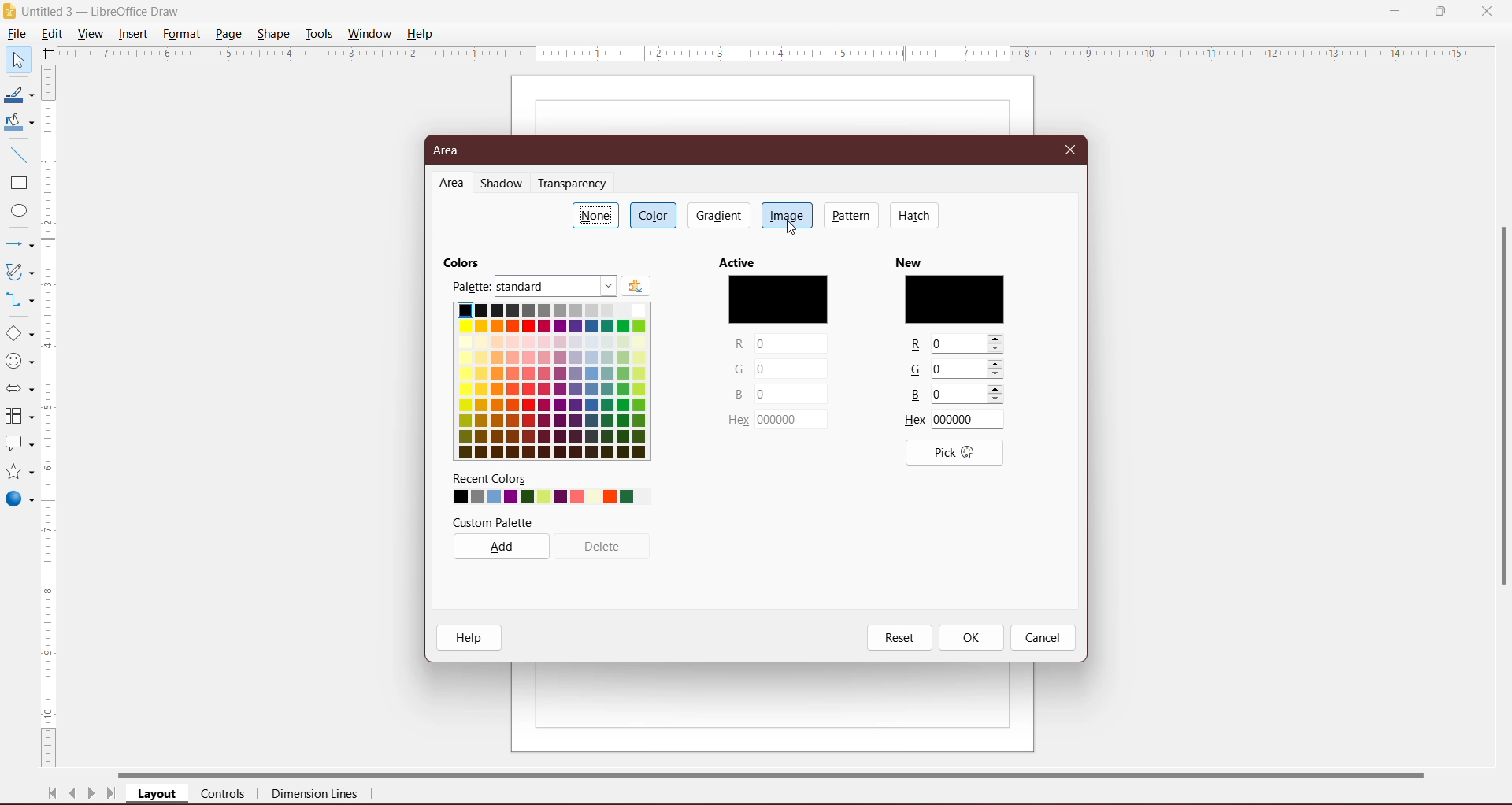 The width and height of the screenshot is (1512, 805). I want to click on Lines and Arrows, so click(18, 246).